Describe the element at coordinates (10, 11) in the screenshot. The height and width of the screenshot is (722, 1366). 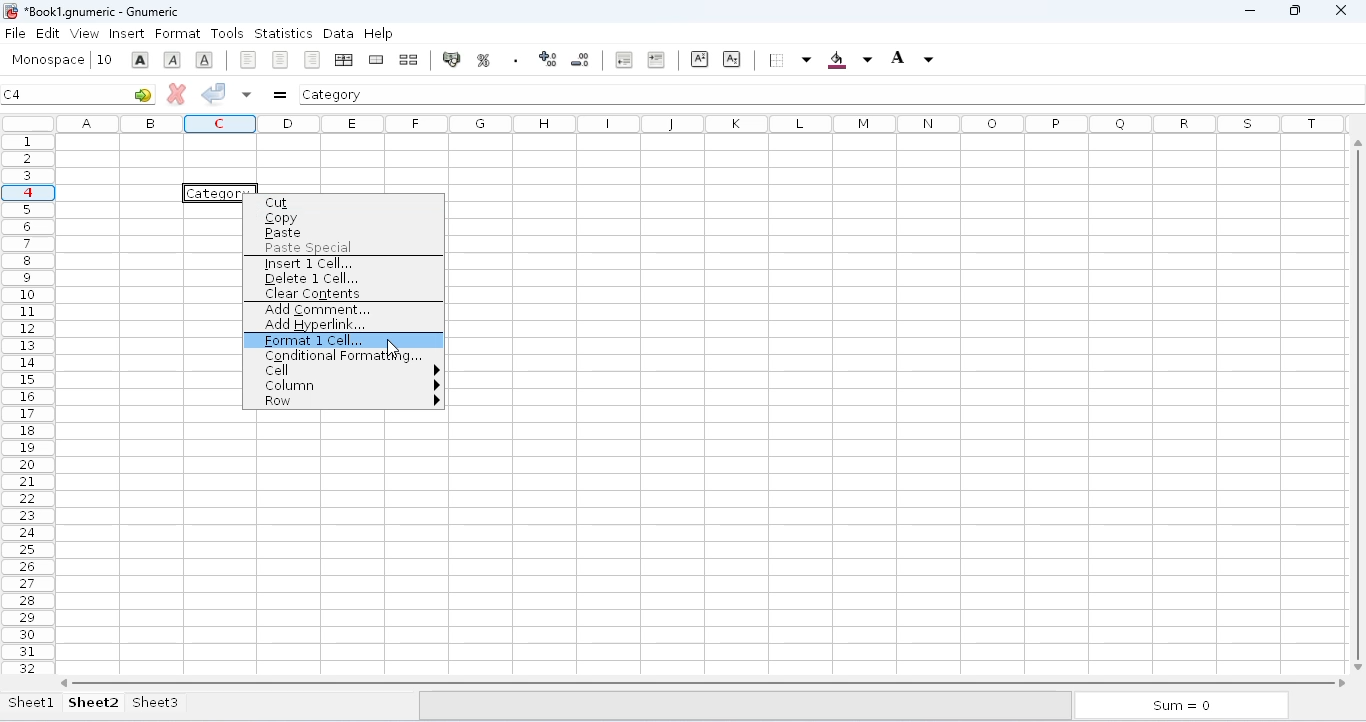
I see `logo` at that location.